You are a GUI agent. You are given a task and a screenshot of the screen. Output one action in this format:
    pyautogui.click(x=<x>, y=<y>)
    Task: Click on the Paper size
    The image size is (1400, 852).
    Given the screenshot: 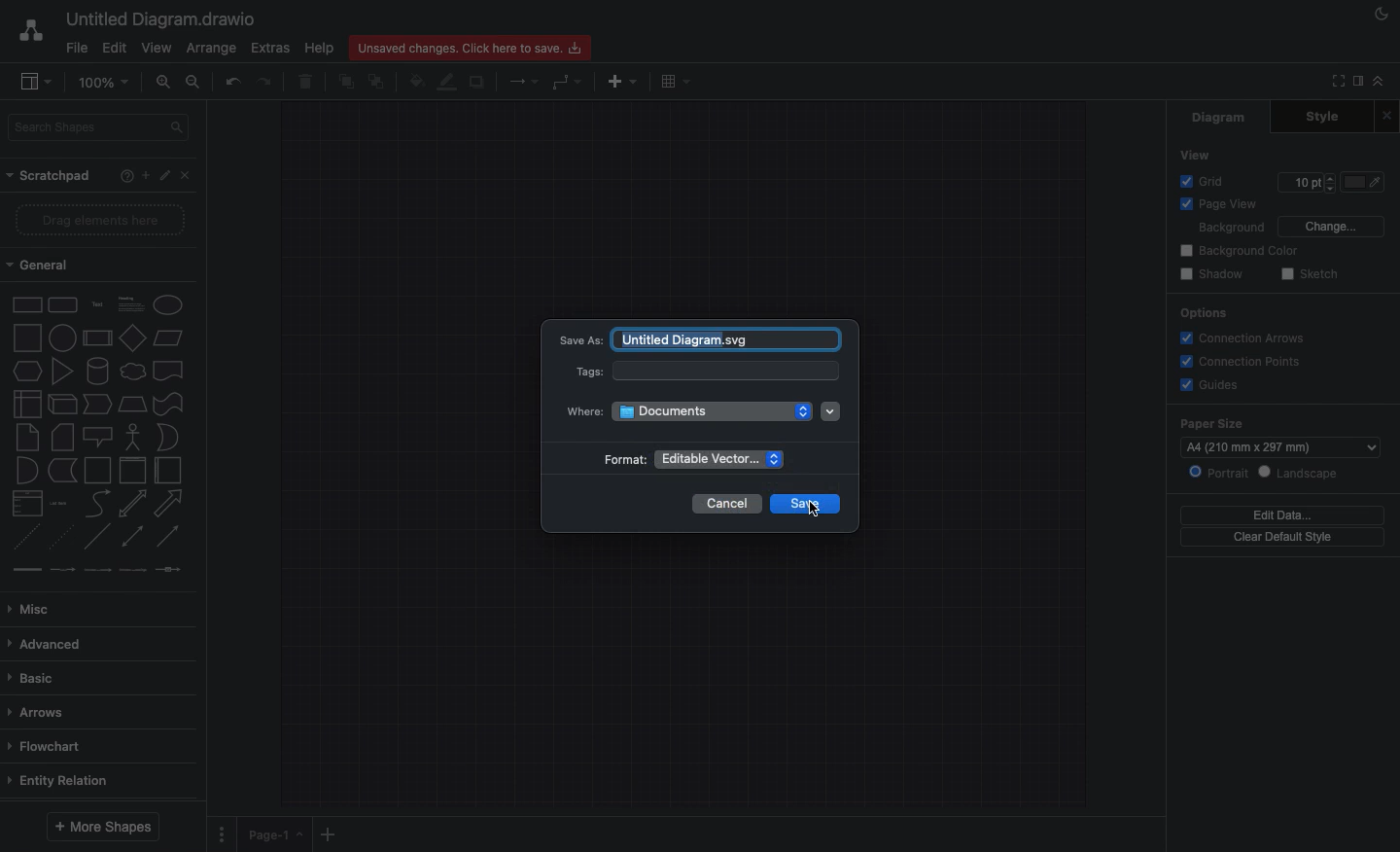 What is the action you would take?
    pyautogui.click(x=1276, y=422)
    